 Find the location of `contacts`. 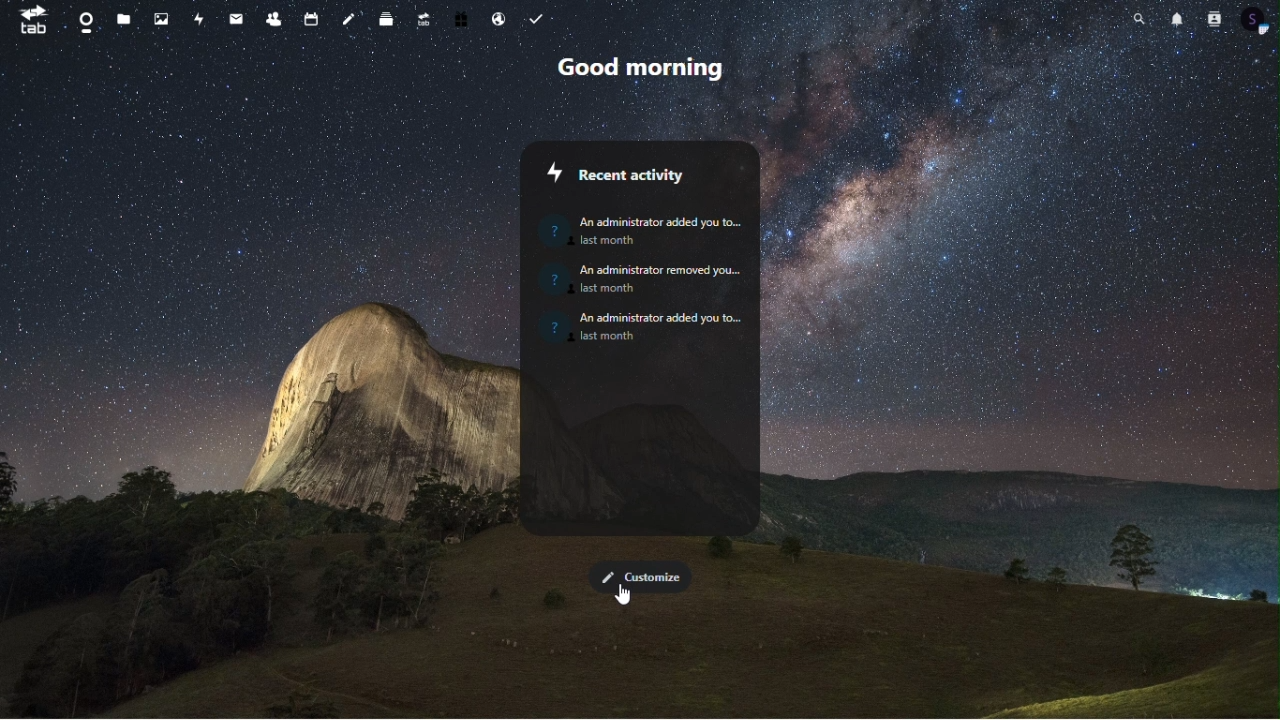

contacts is located at coordinates (1213, 20).